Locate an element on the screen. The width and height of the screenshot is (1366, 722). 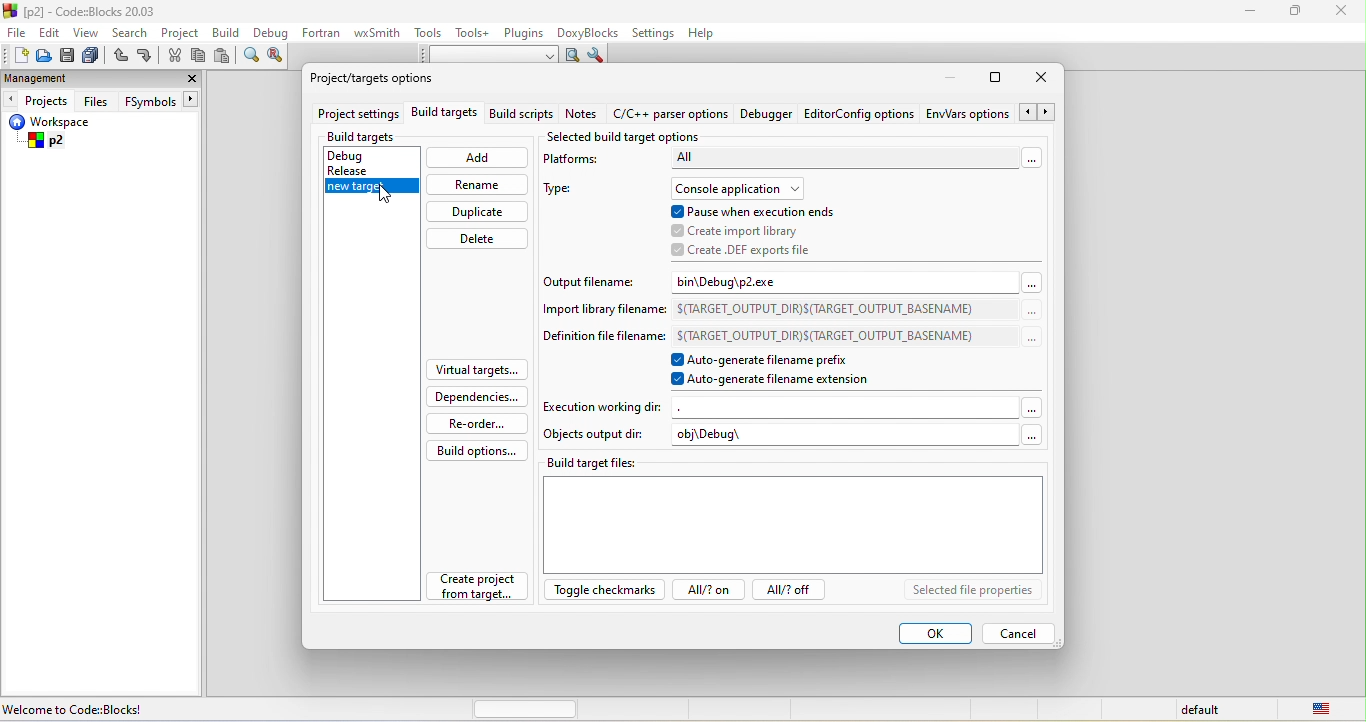
files is located at coordinates (97, 100).